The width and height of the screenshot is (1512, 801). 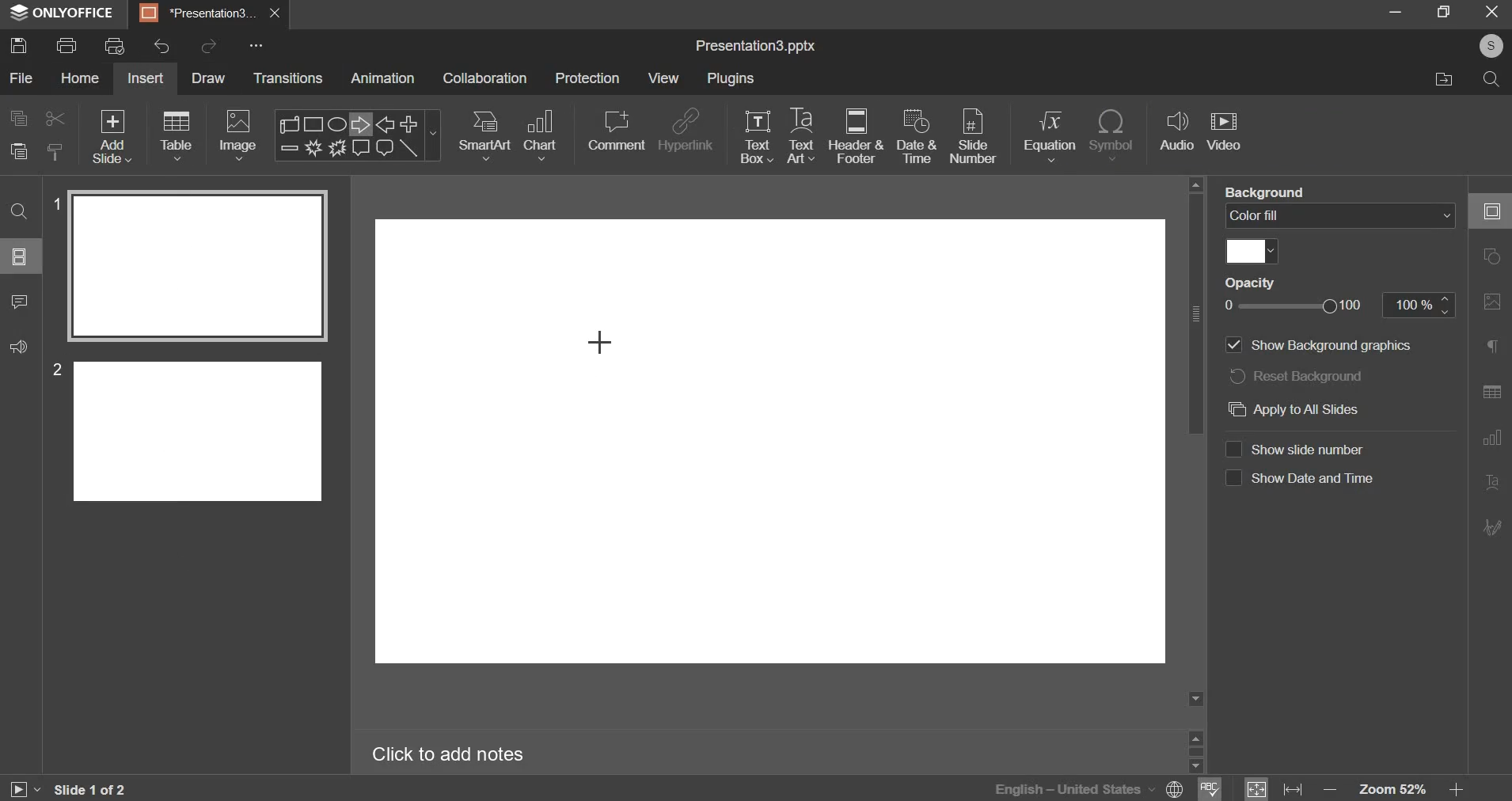 I want to click on presentation name, so click(x=755, y=47).